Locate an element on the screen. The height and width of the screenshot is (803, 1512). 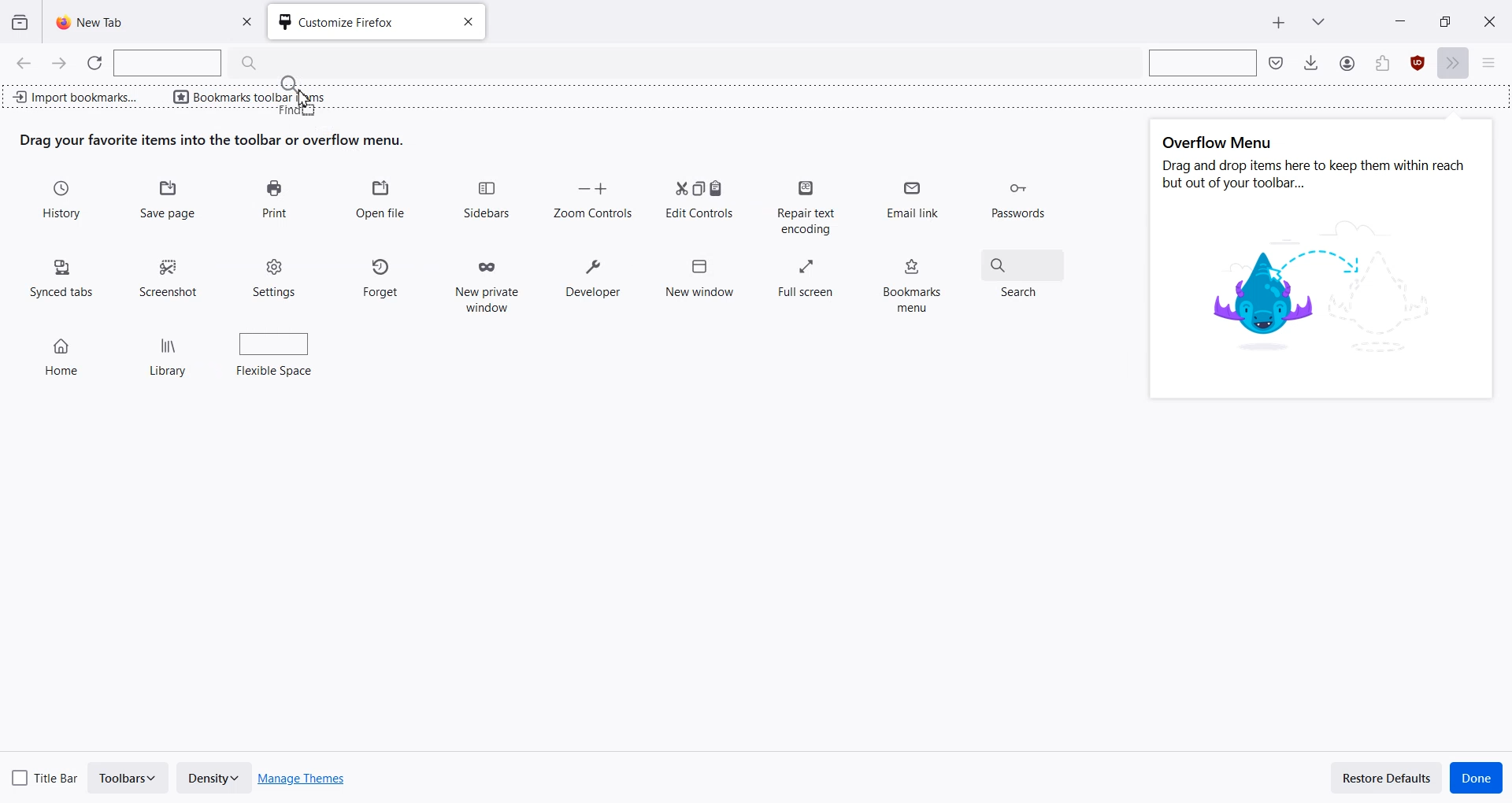
Downloads is located at coordinates (1311, 62).